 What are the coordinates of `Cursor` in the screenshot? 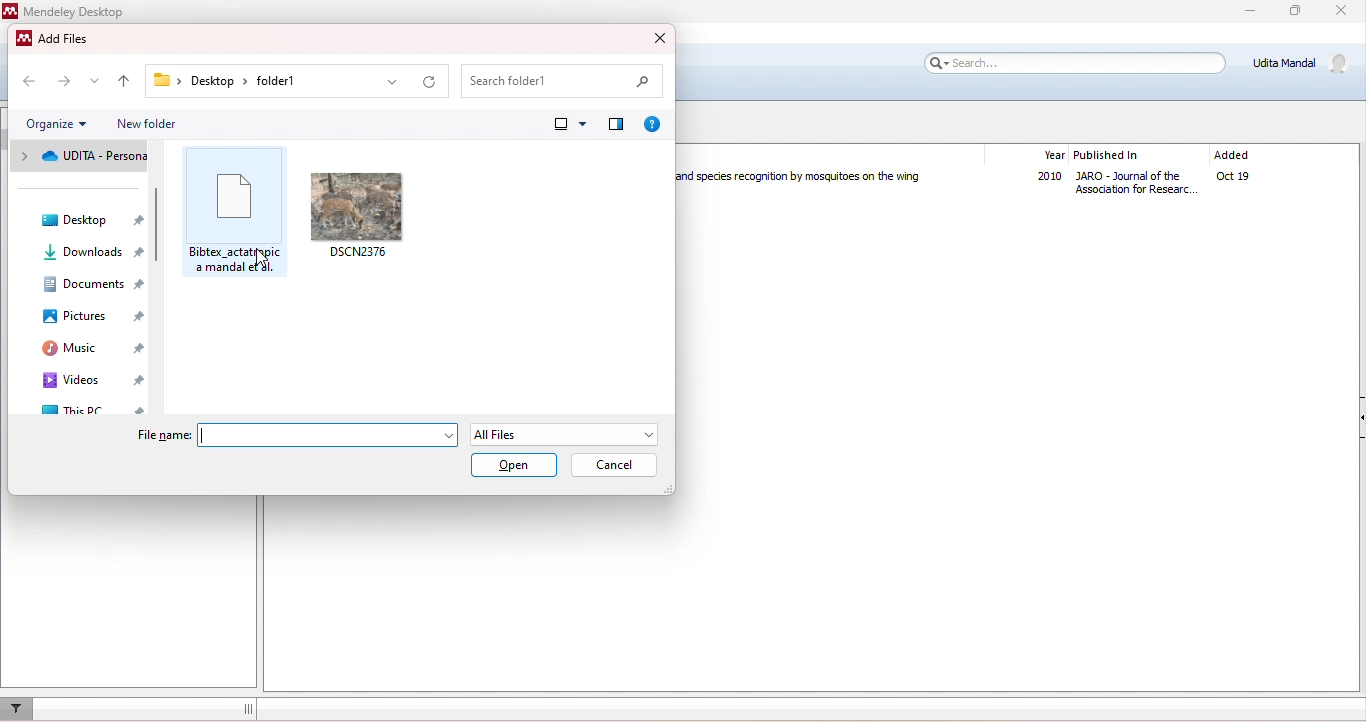 It's located at (263, 258).